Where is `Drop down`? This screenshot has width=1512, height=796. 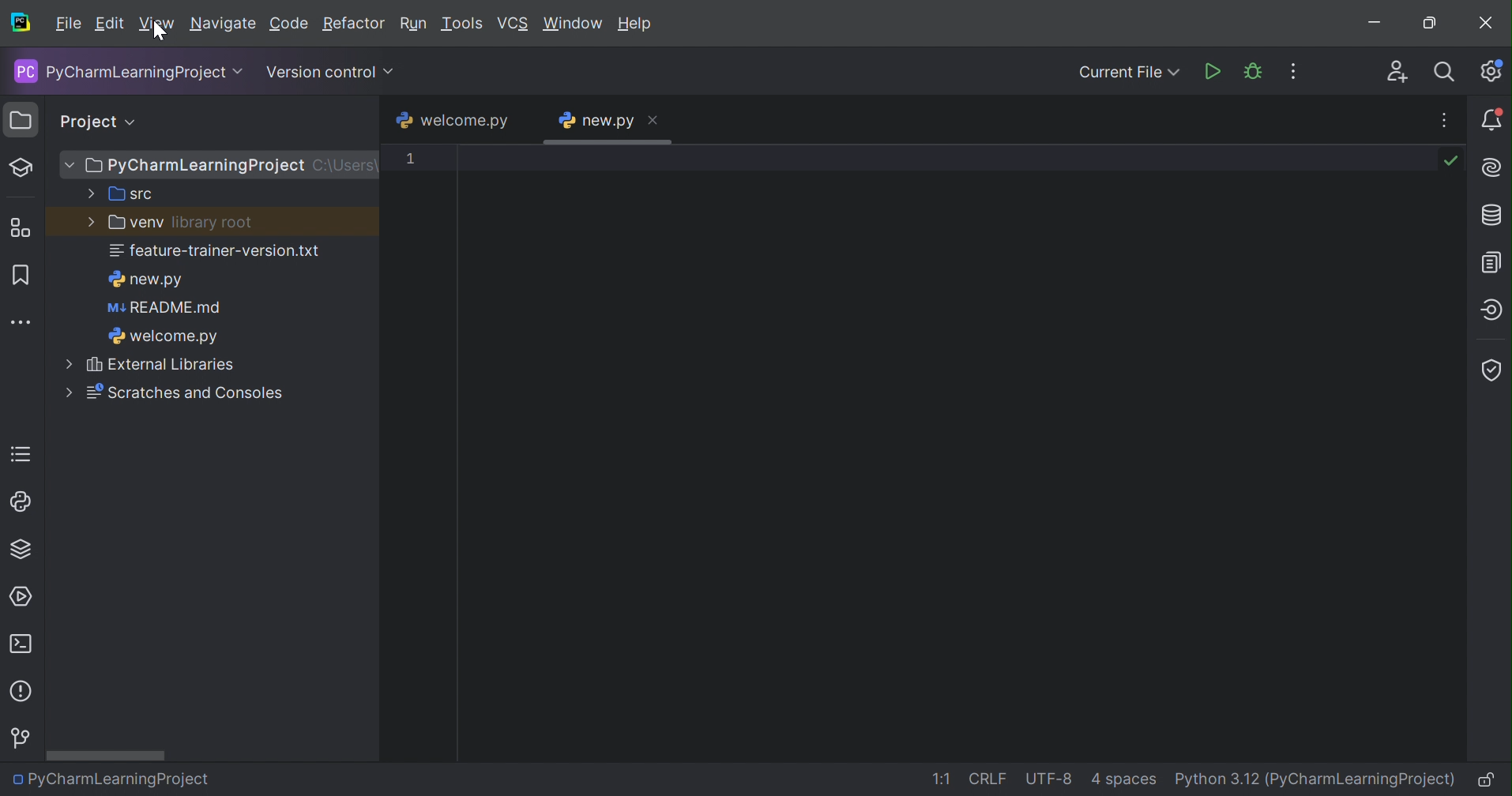
Drop down is located at coordinates (241, 72).